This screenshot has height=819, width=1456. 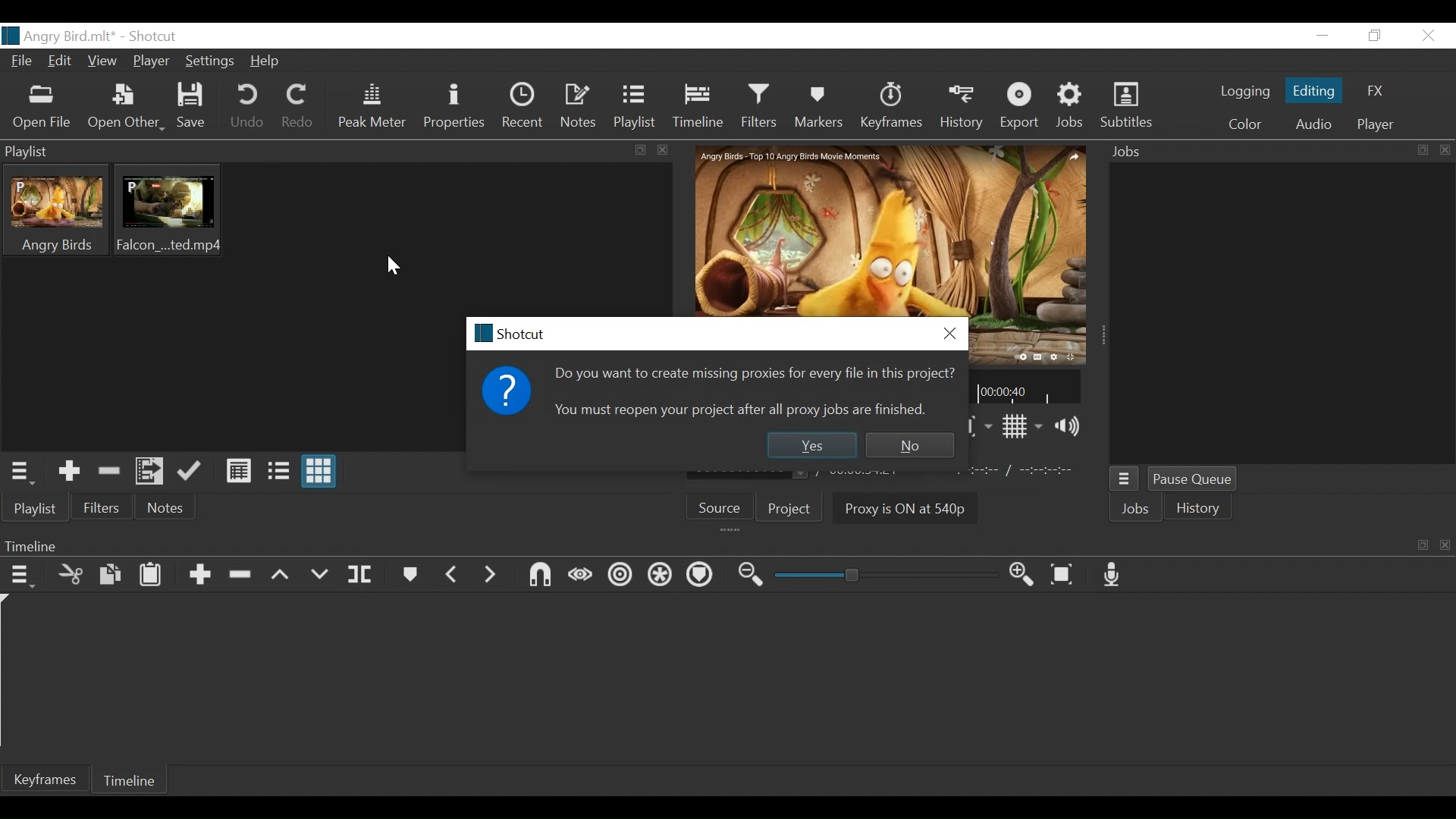 I want to click on Split at playhead, so click(x=363, y=576).